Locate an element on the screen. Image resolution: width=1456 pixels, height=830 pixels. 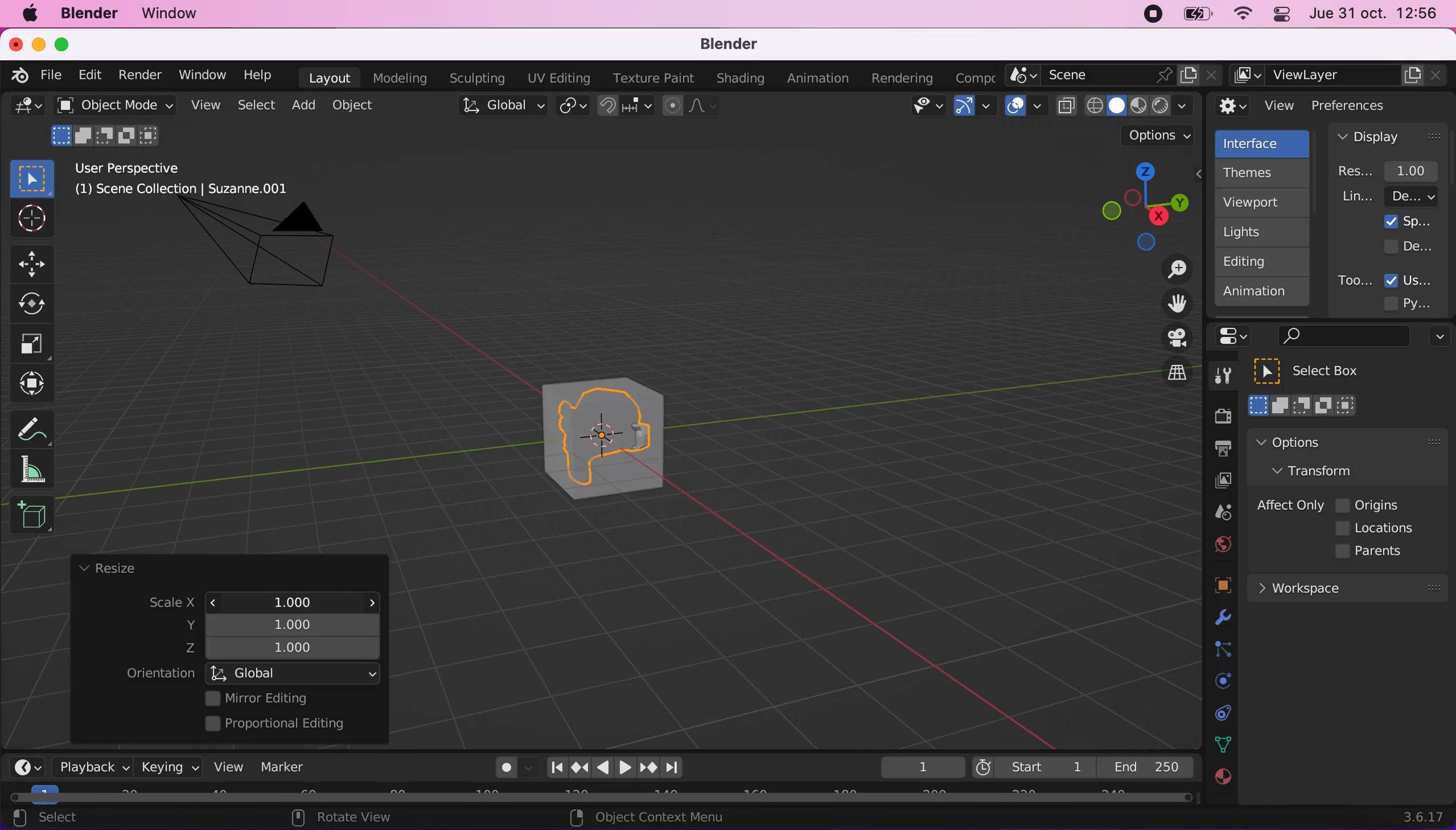
tools is located at coordinates (1217, 379).